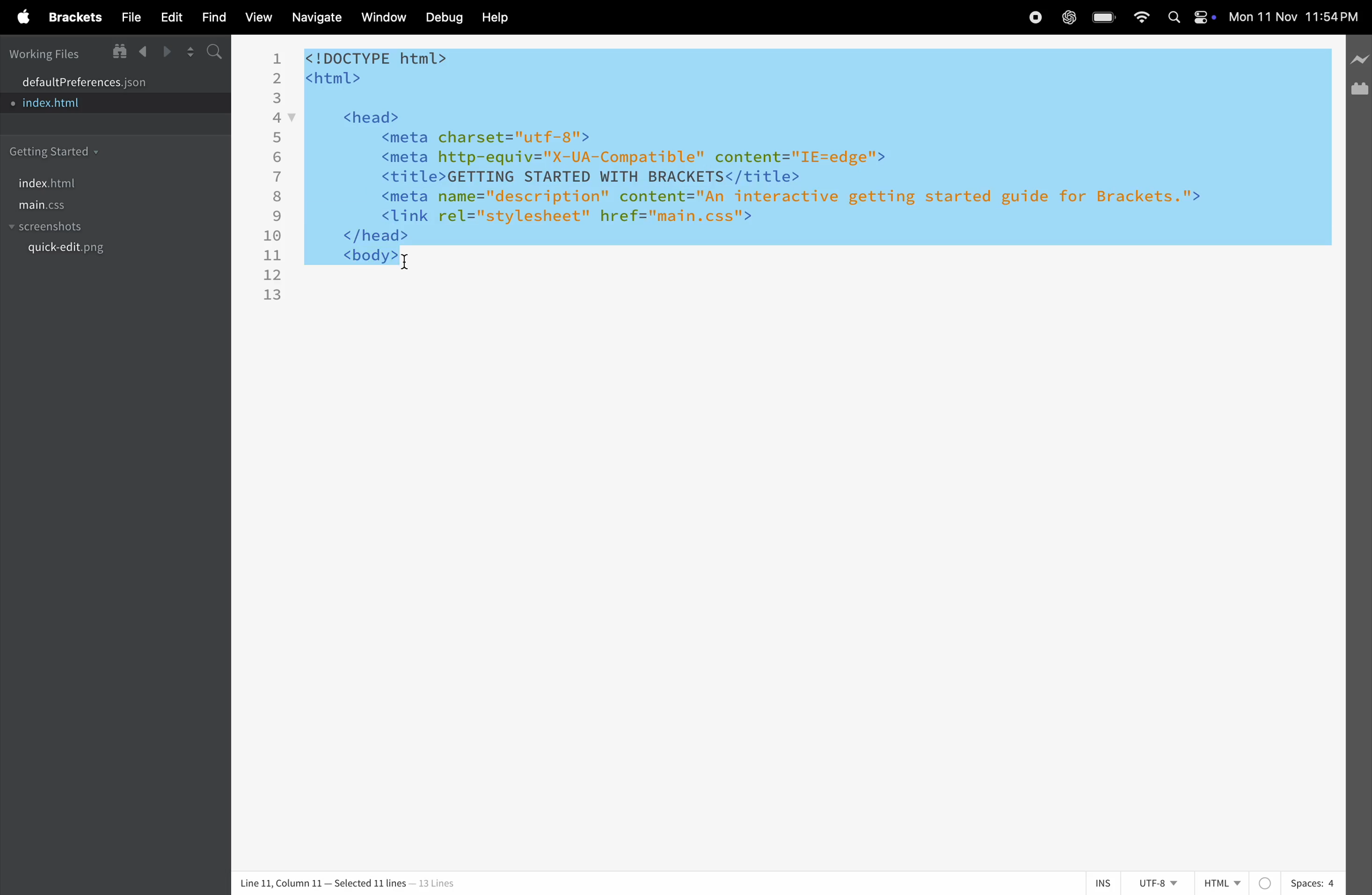 The width and height of the screenshot is (1372, 895). What do you see at coordinates (278, 78) in the screenshot?
I see `2` at bounding box center [278, 78].